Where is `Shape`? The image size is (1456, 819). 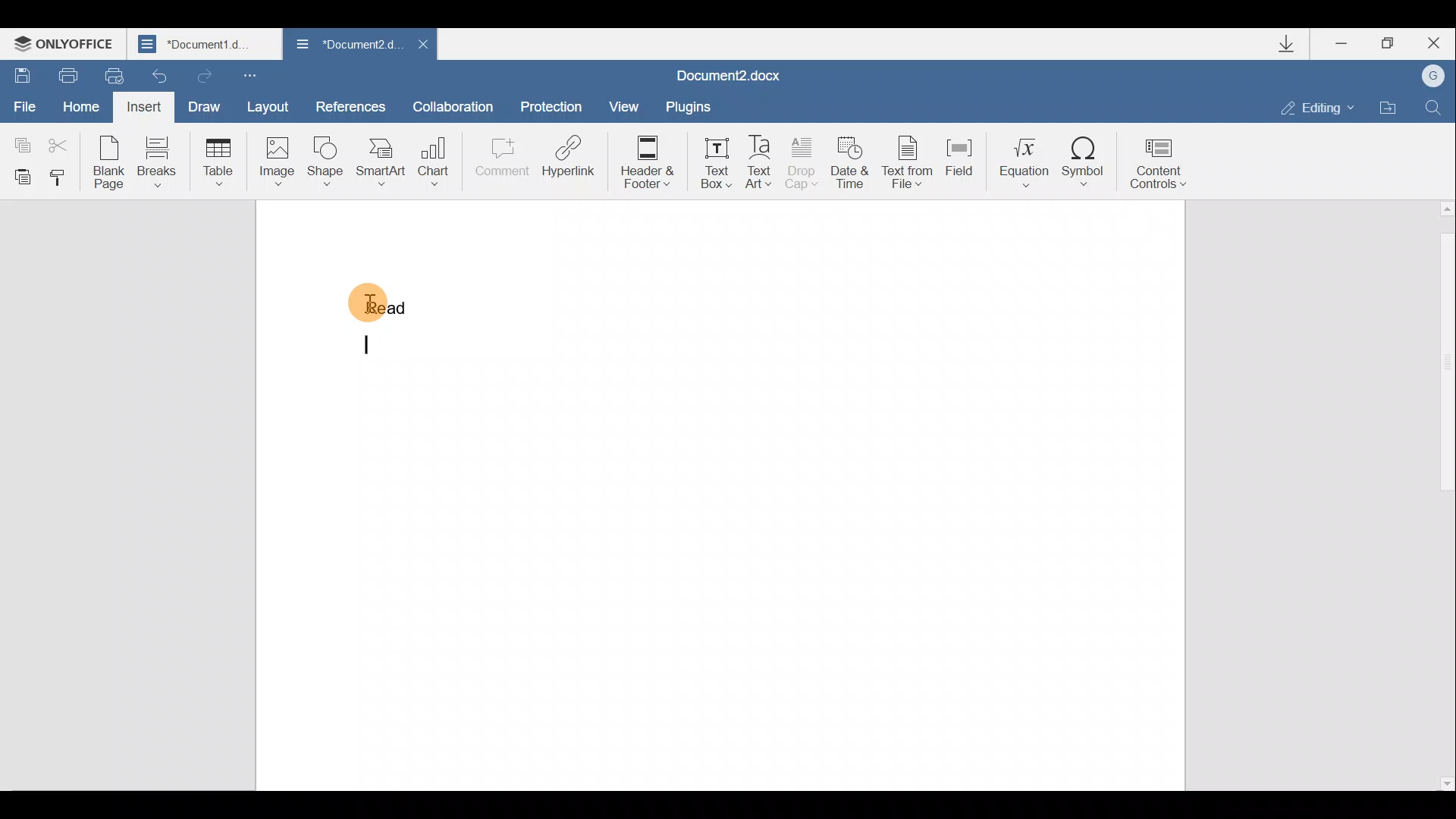
Shape is located at coordinates (323, 162).